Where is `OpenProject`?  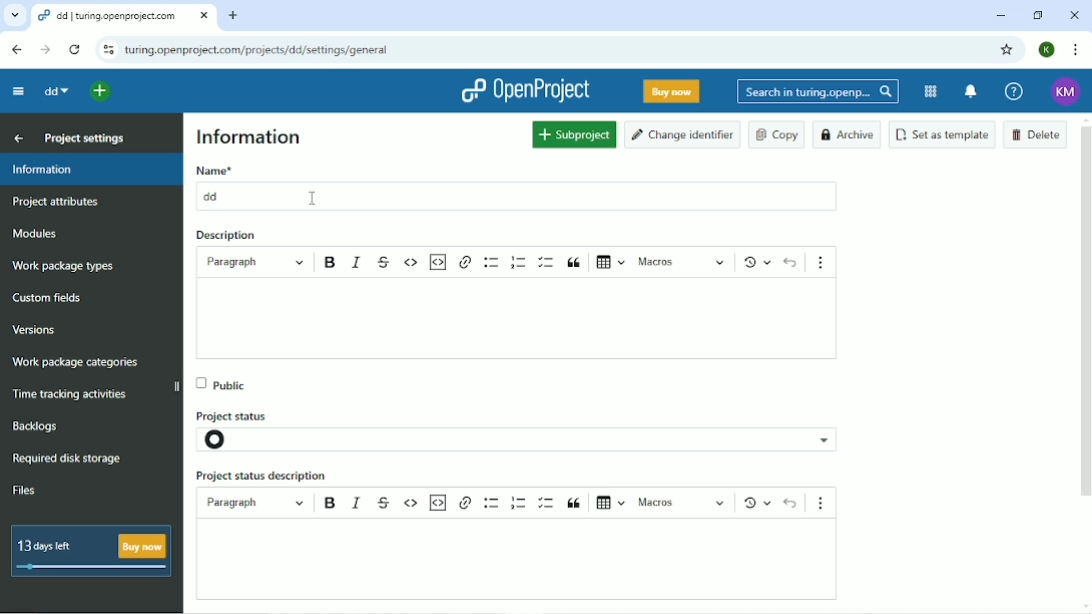
OpenProject is located at coordinates (526, 89).